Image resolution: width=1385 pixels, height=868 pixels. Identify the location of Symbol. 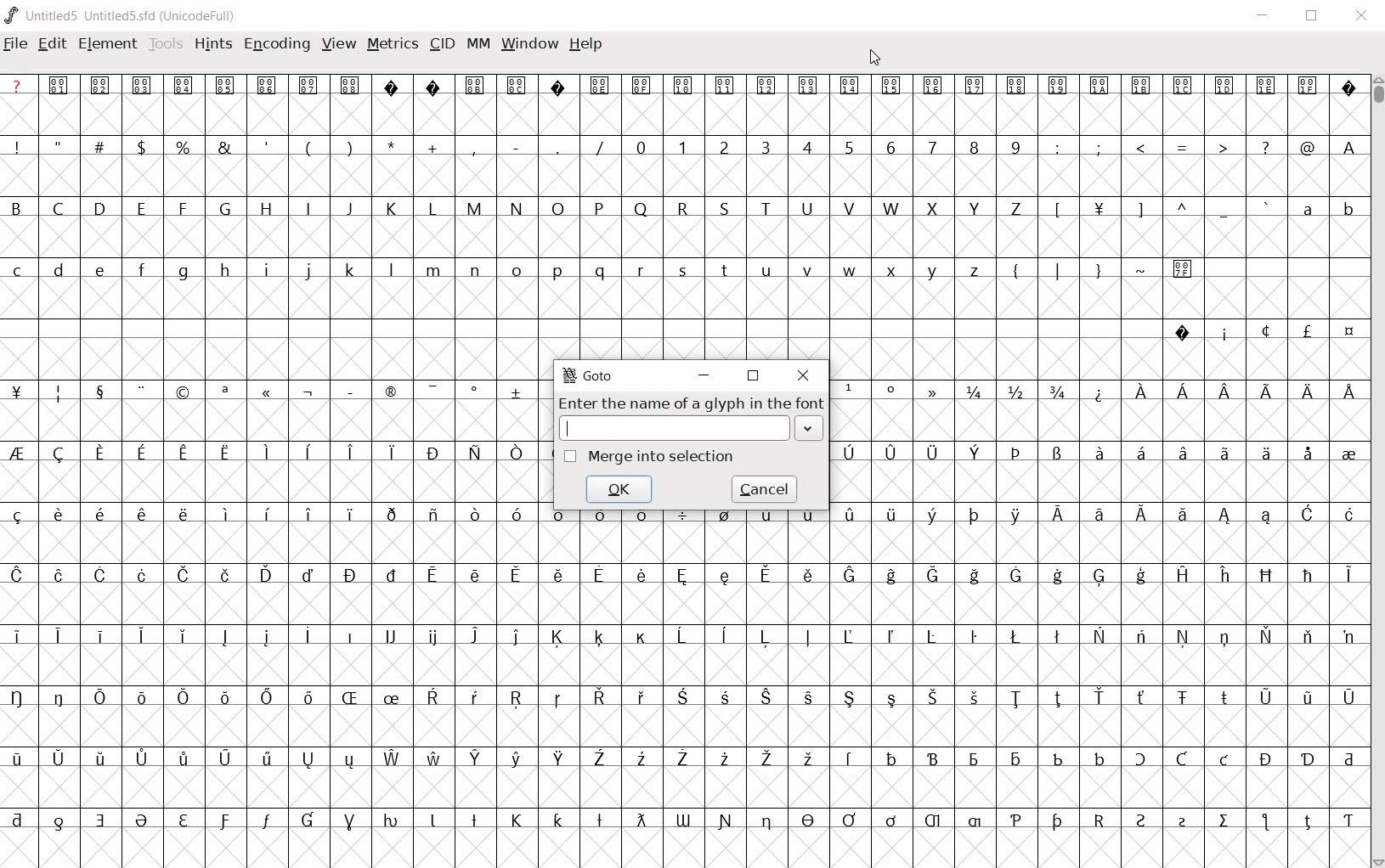
(102, 86).